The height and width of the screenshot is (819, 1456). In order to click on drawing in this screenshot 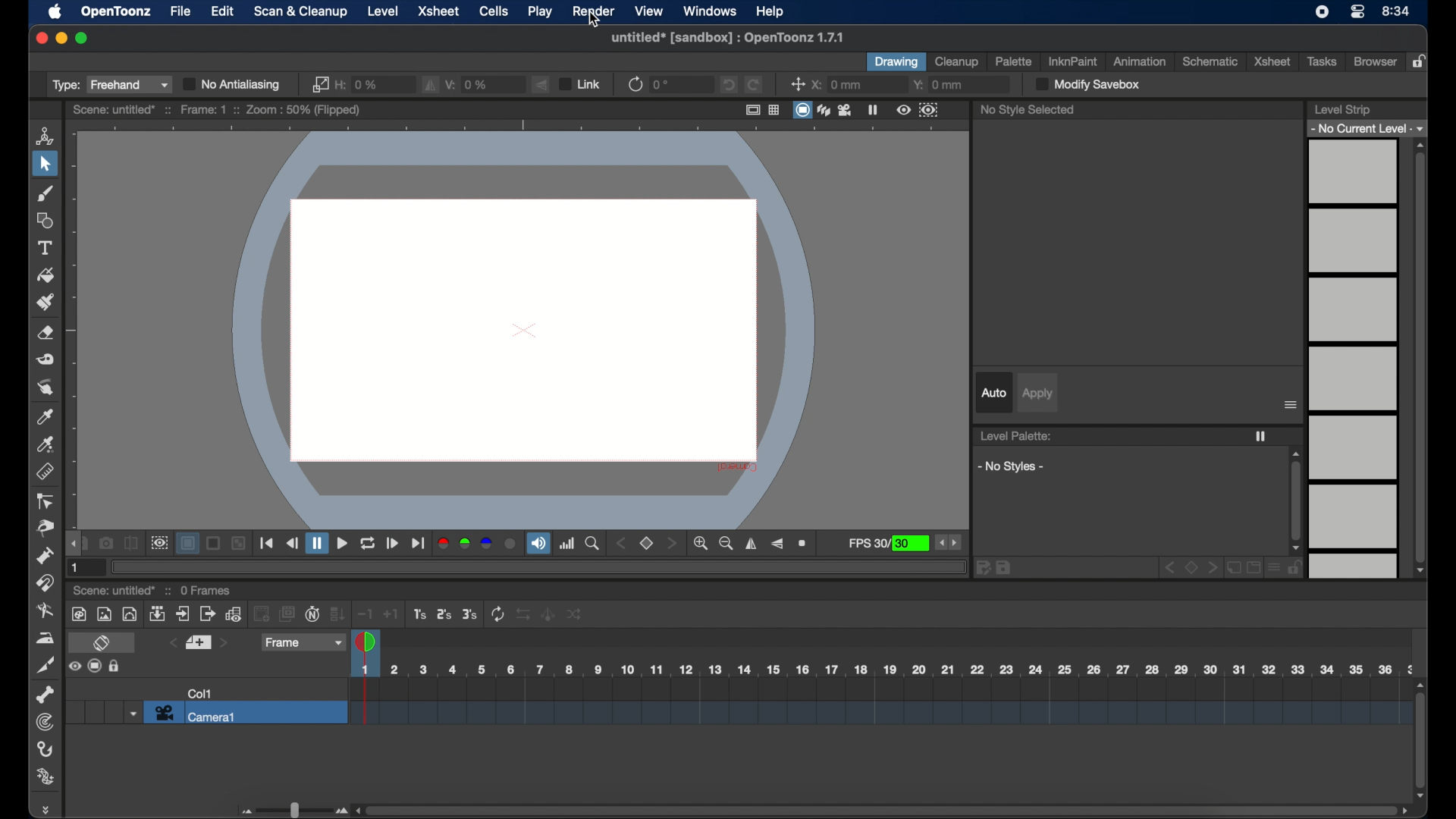, I will do `click(896, 62)`.